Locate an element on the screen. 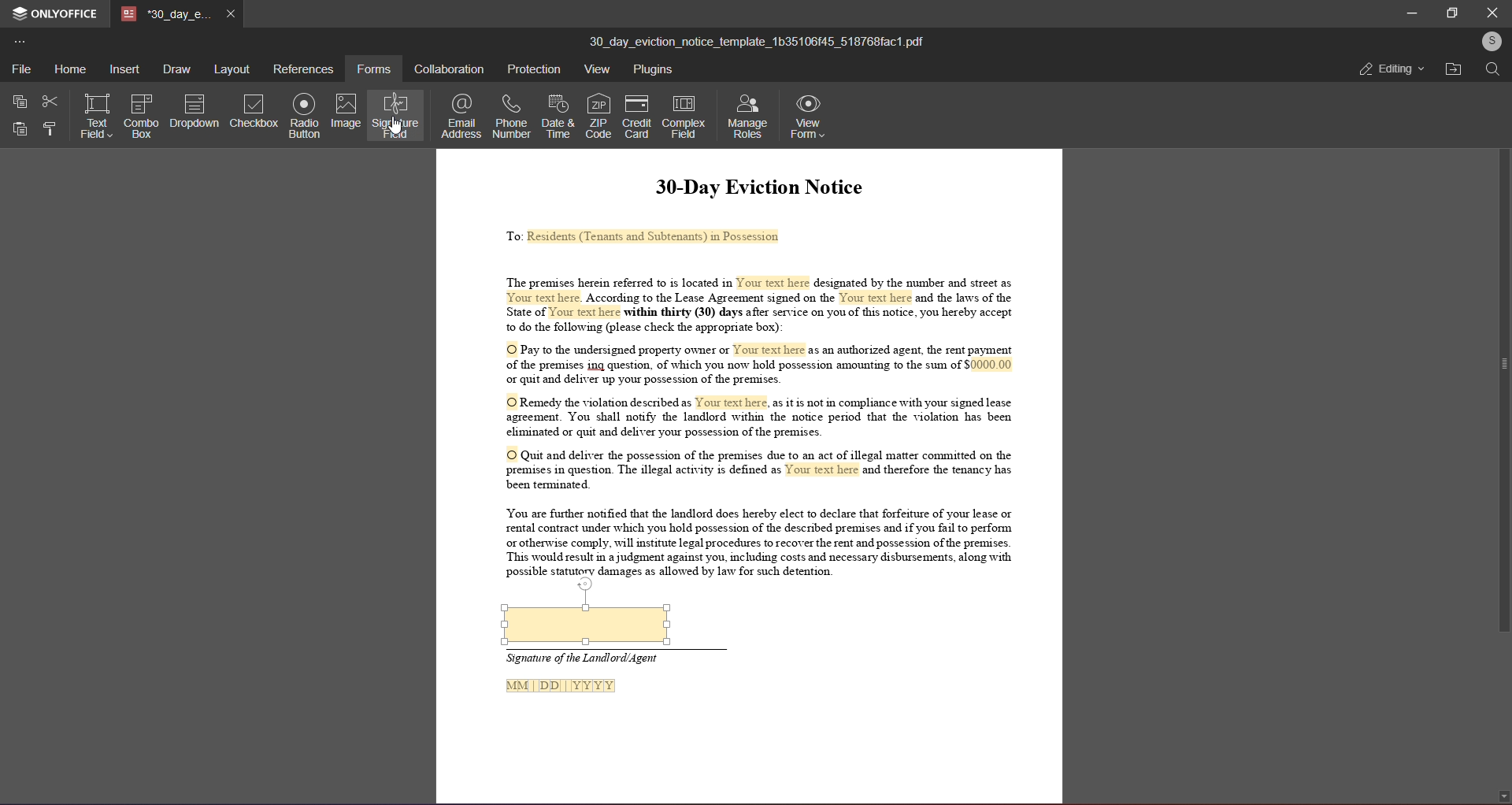  format is located at coordinates (50, 130).